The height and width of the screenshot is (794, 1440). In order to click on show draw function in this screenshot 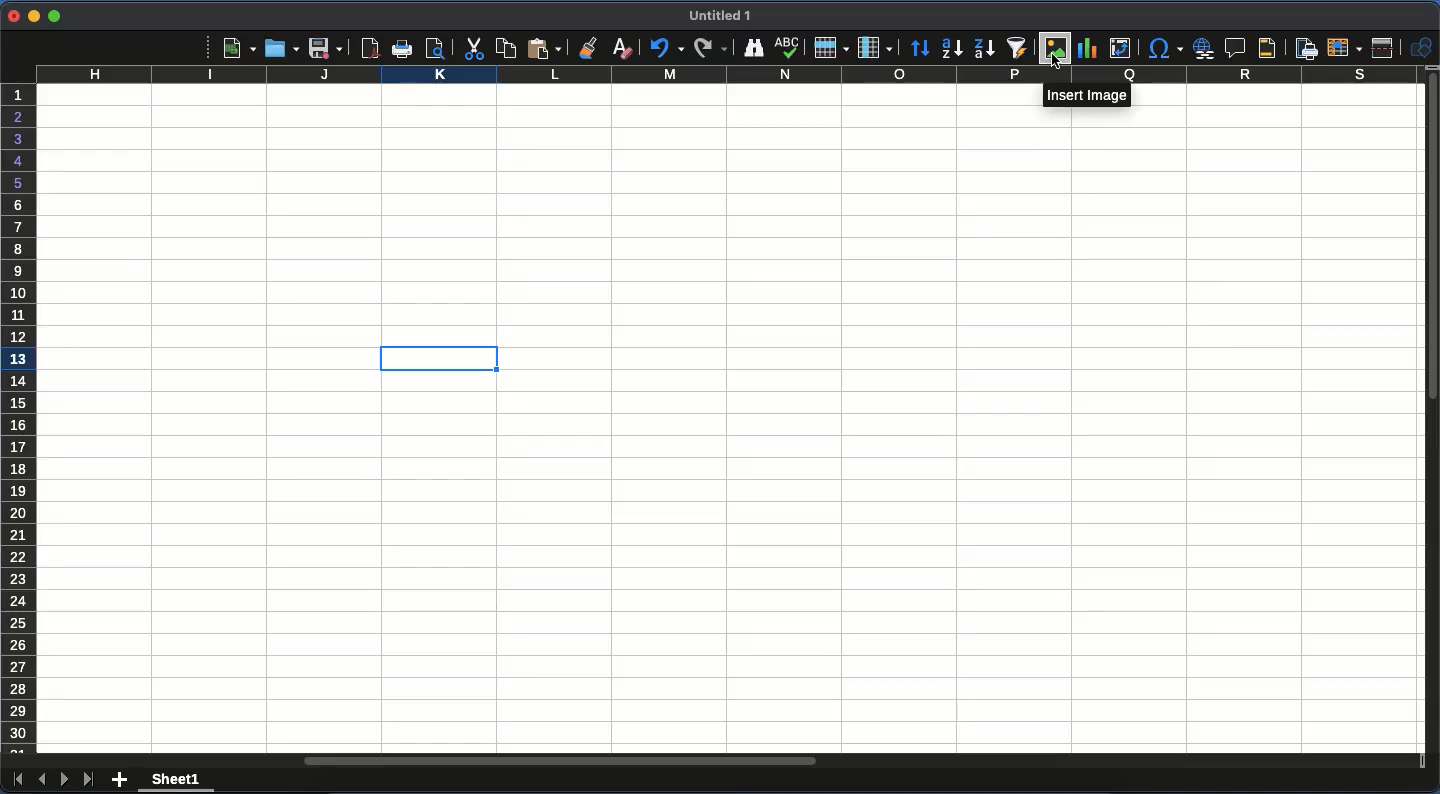, I will do `click(1421, 47)`.